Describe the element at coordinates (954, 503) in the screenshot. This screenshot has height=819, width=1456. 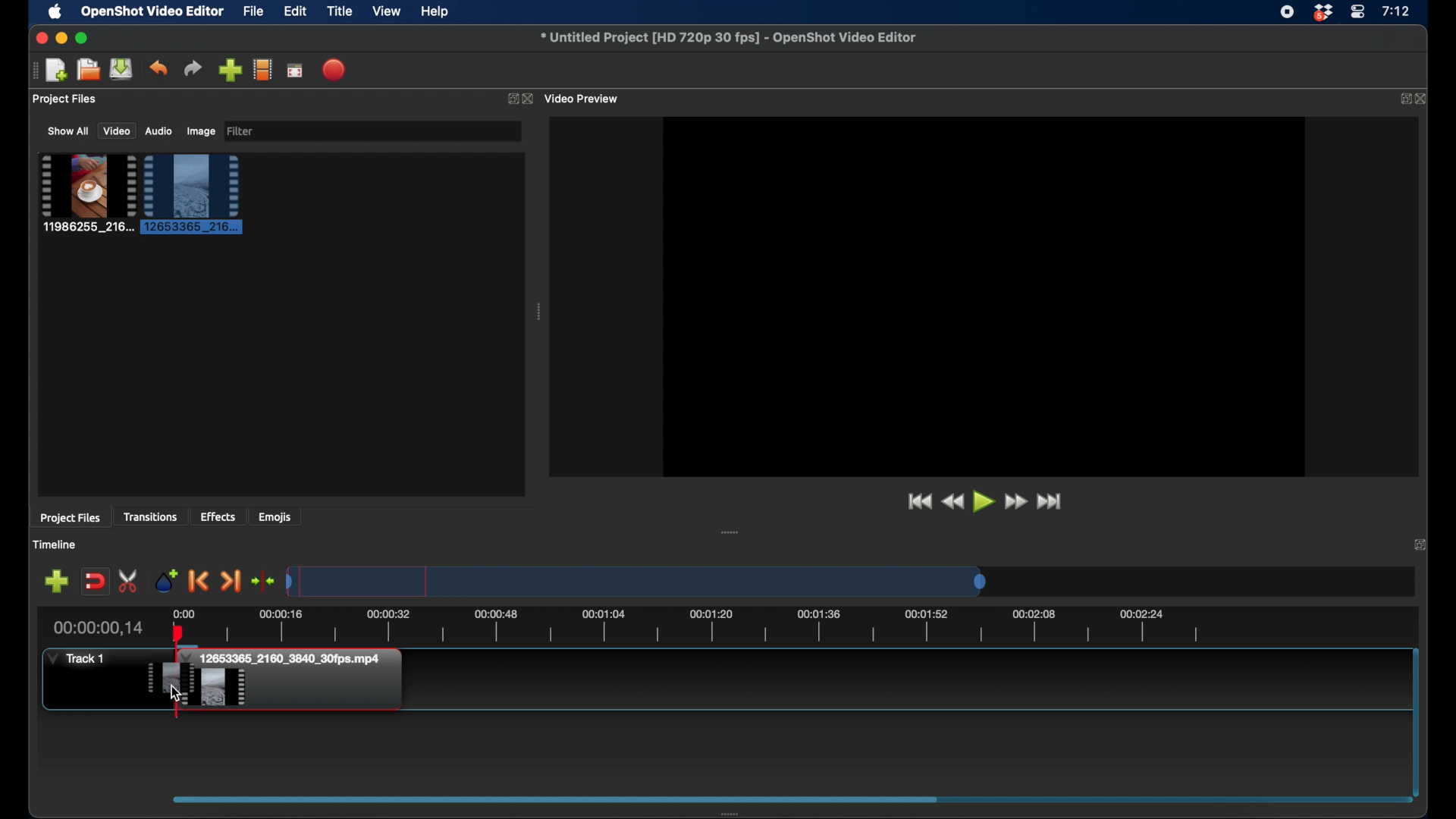
I see `rewind` at that location.